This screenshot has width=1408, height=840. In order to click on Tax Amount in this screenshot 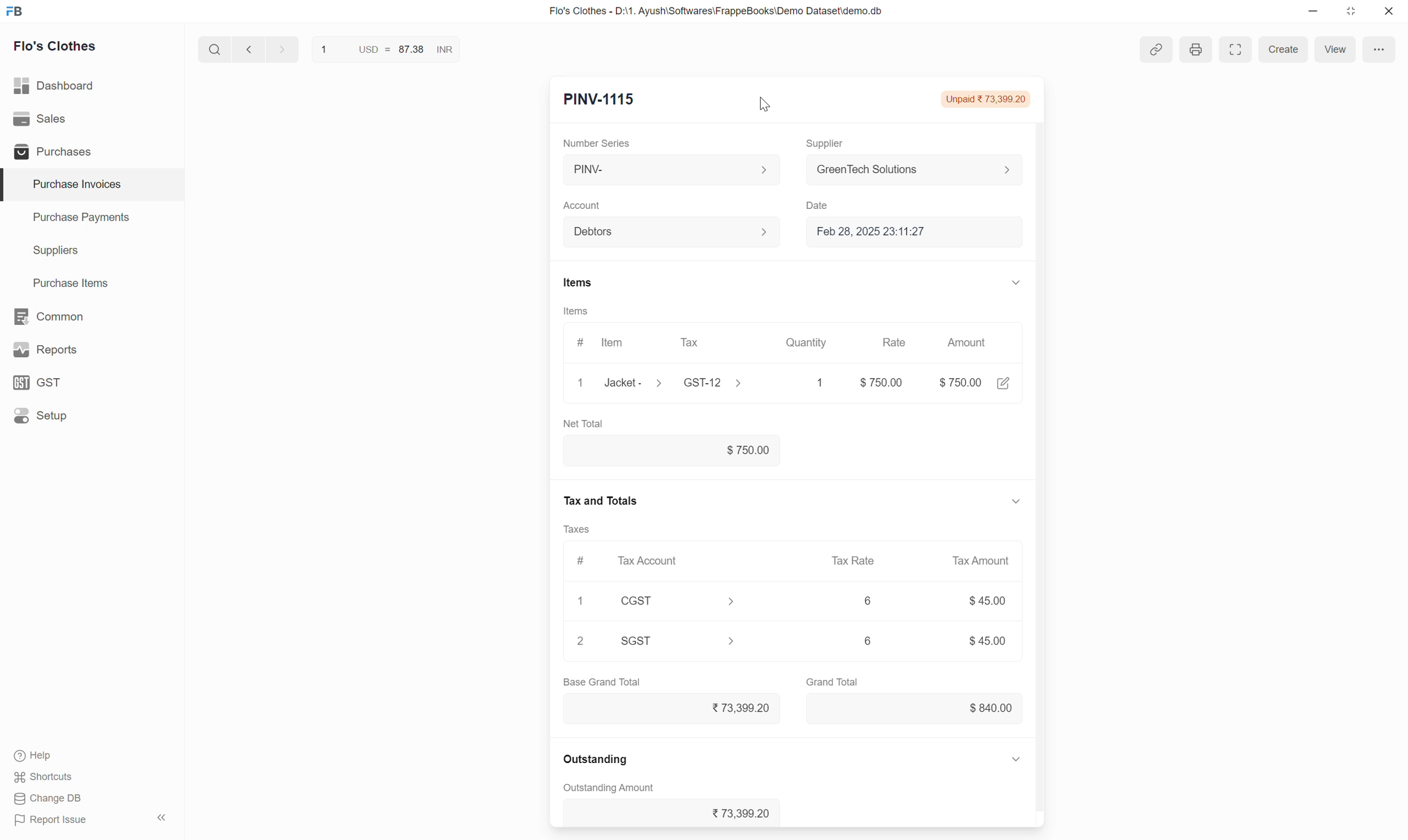, I will do `click(981, 560)`.